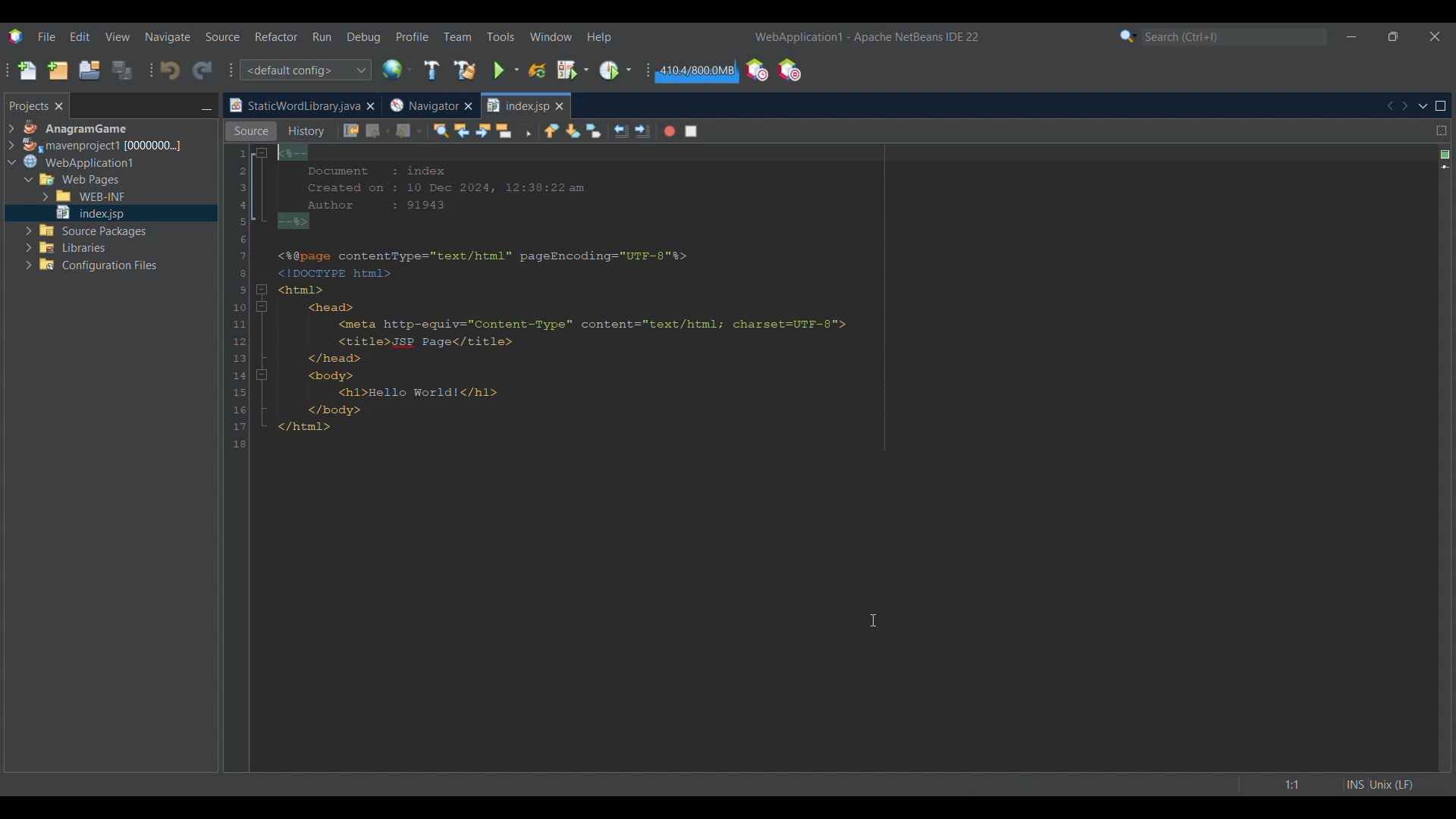 The image size is (1456, 819). I want to click on Next bookmark, so click(573, 131).